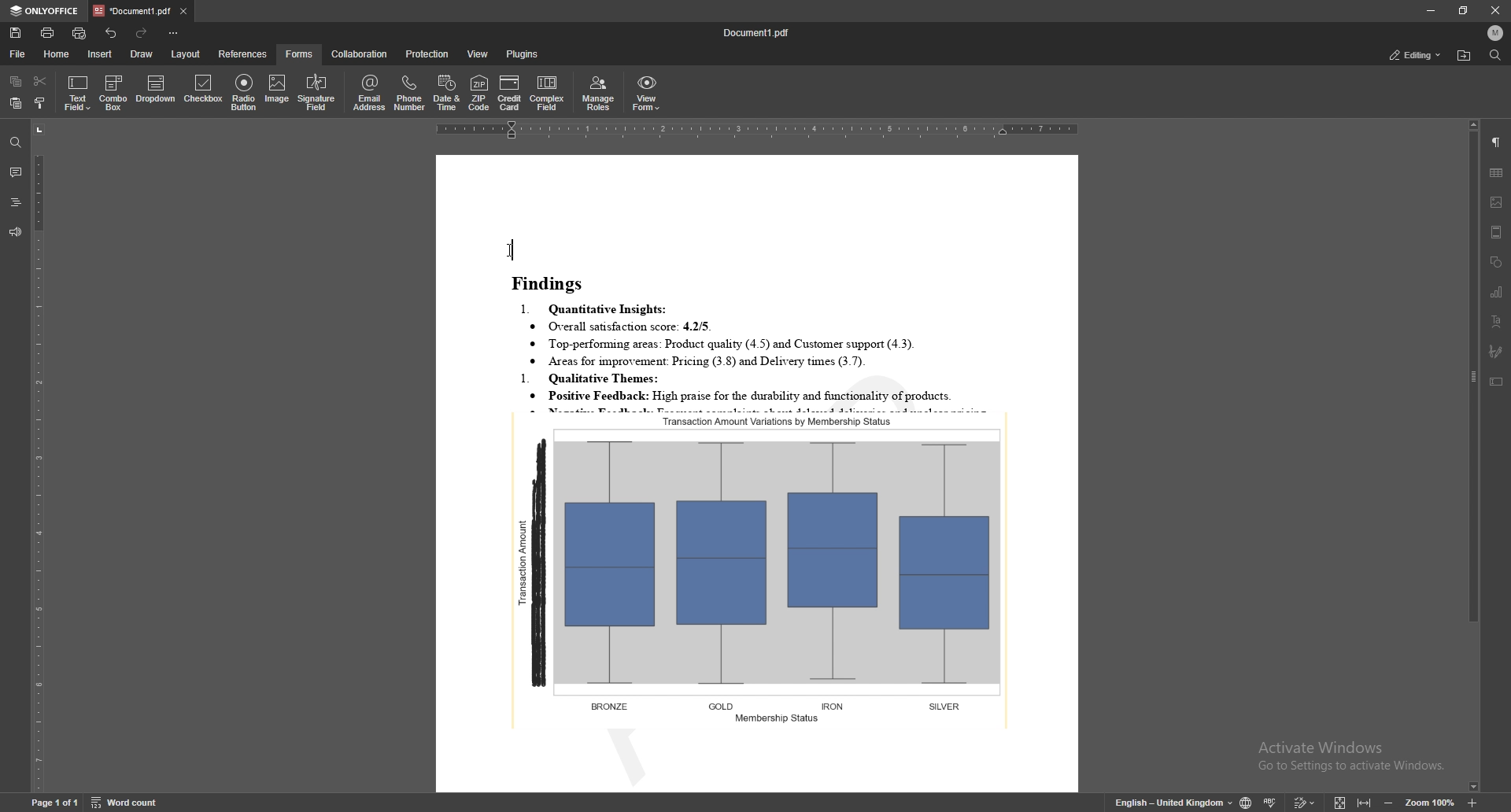  What do you see at coordinates (370, 92) in the screenshot?
I see `email address` at bounding box center [370, 92].